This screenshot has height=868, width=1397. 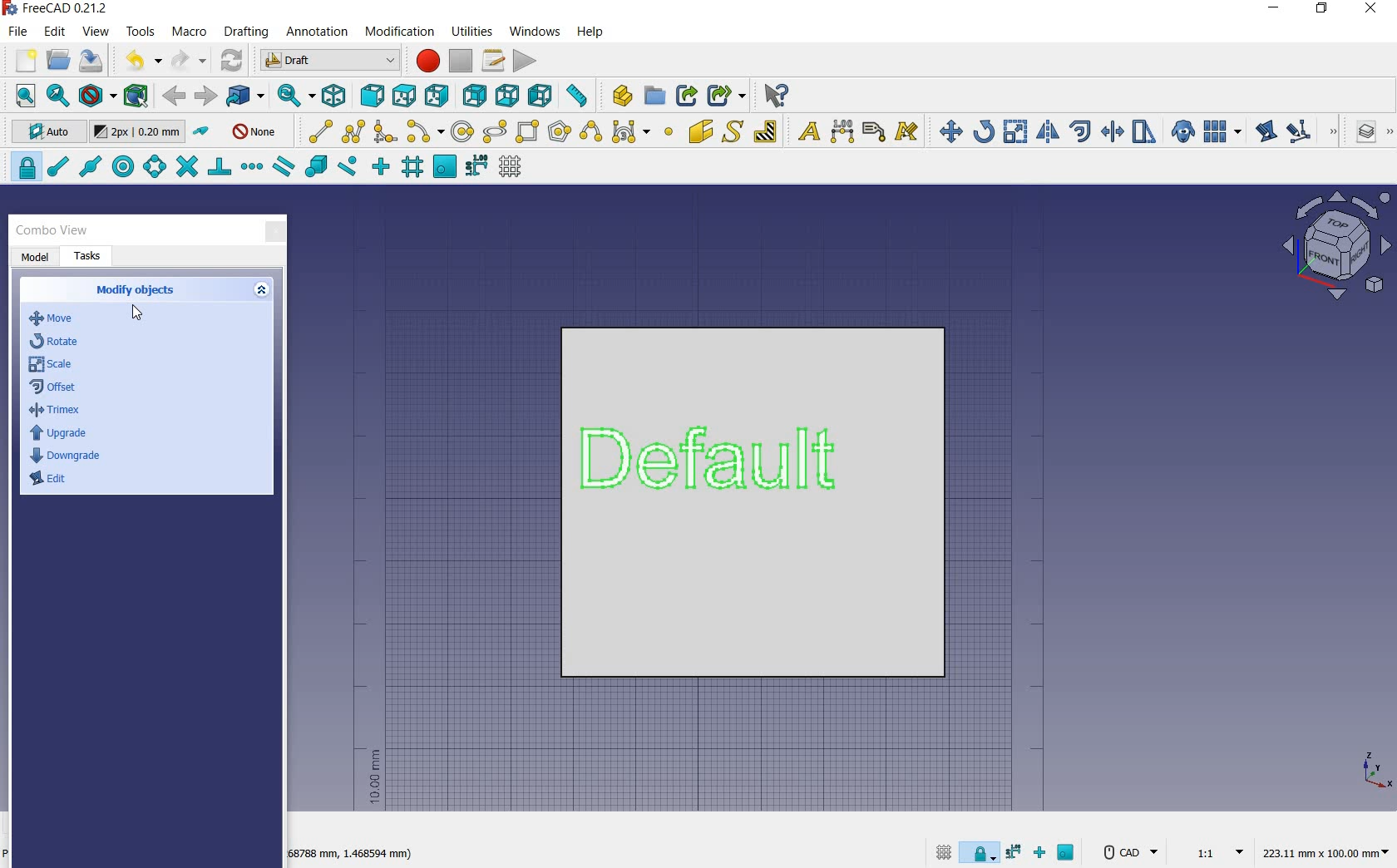 What do you see at coordinates (1330, 854) in the screenshot?
I see `dimension` at bounding box center [1330, 854].